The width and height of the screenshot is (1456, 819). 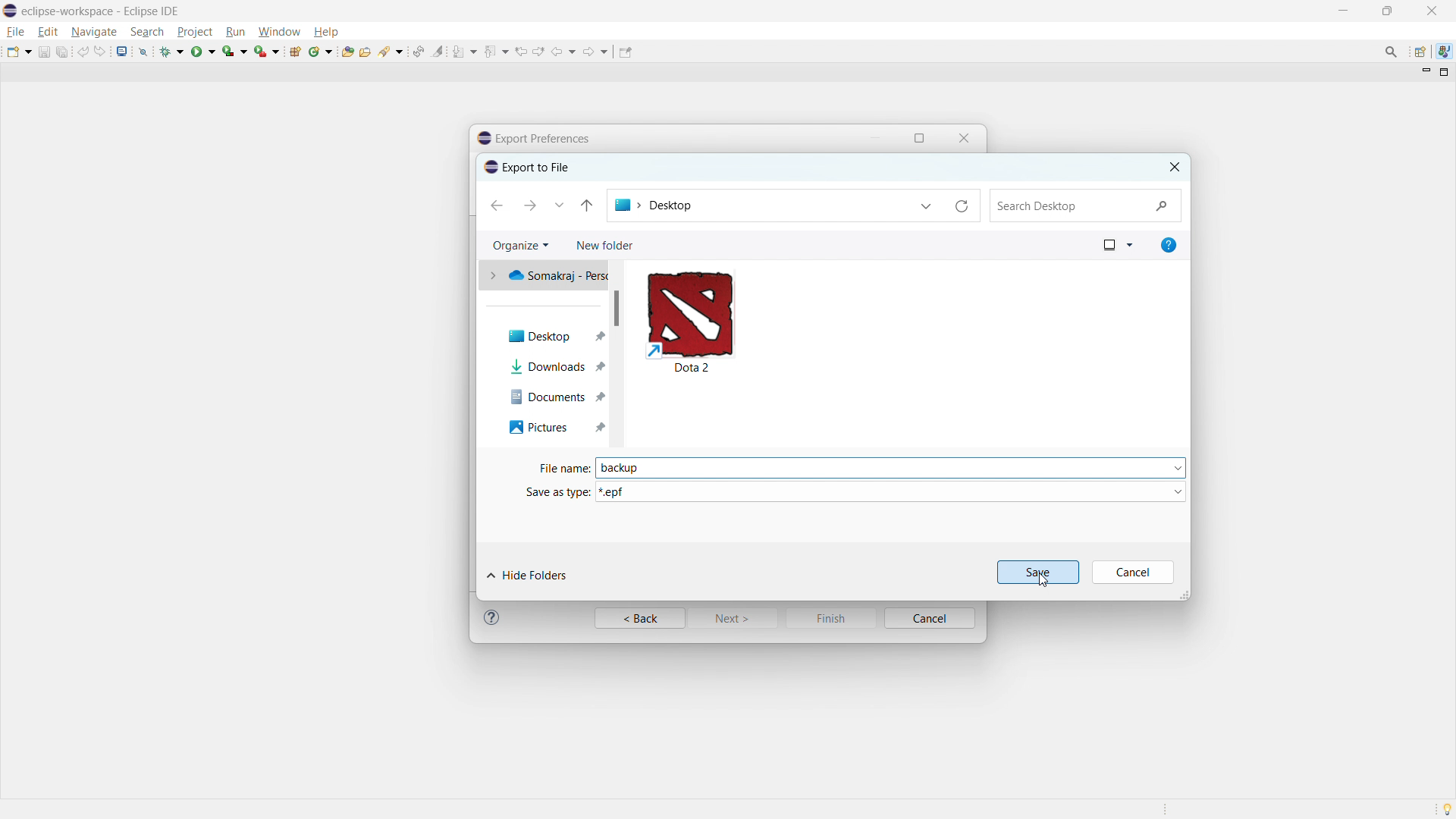 I want to click on minimize view, so click(x=1424, y=73).